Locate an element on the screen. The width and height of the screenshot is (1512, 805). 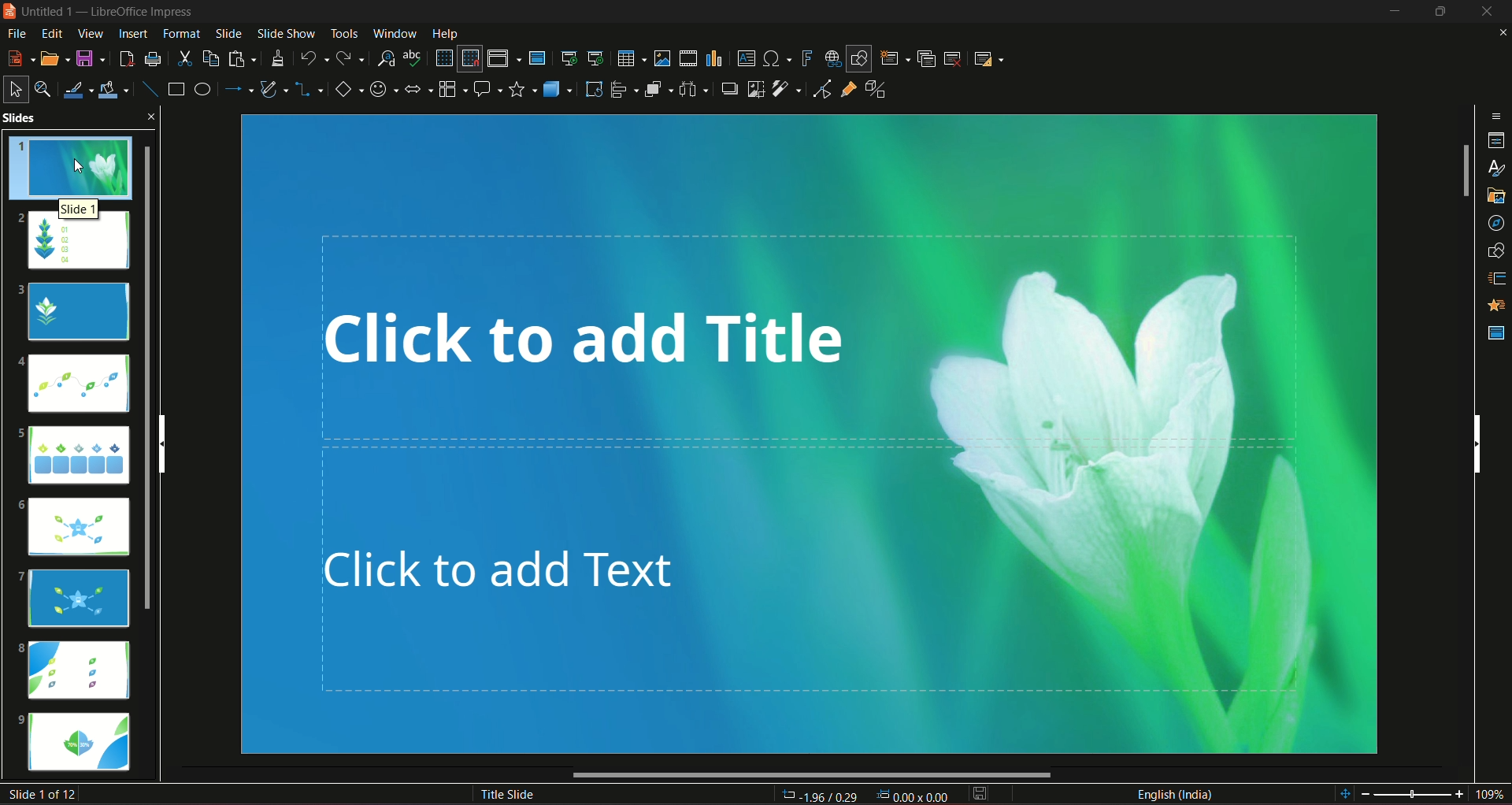
horizontal scroll bar is located at coordinates (813, 776).